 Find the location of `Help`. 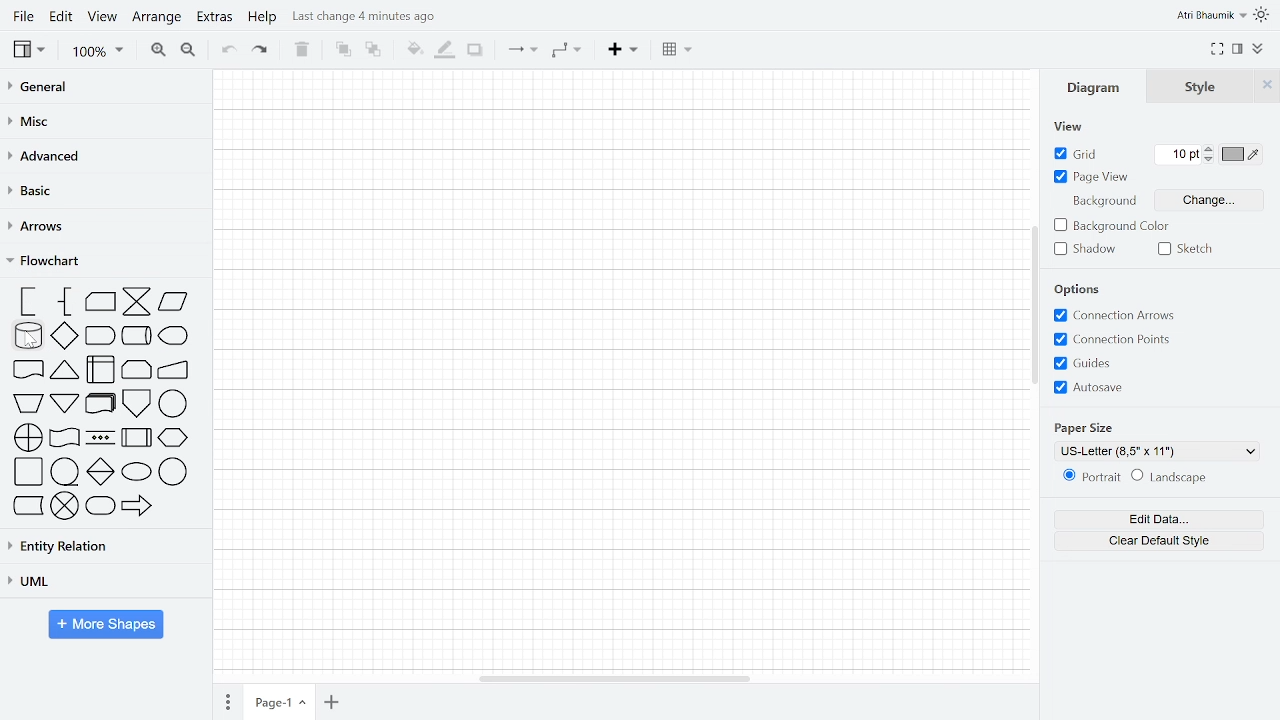

Help is located at coordinates (262, 19).